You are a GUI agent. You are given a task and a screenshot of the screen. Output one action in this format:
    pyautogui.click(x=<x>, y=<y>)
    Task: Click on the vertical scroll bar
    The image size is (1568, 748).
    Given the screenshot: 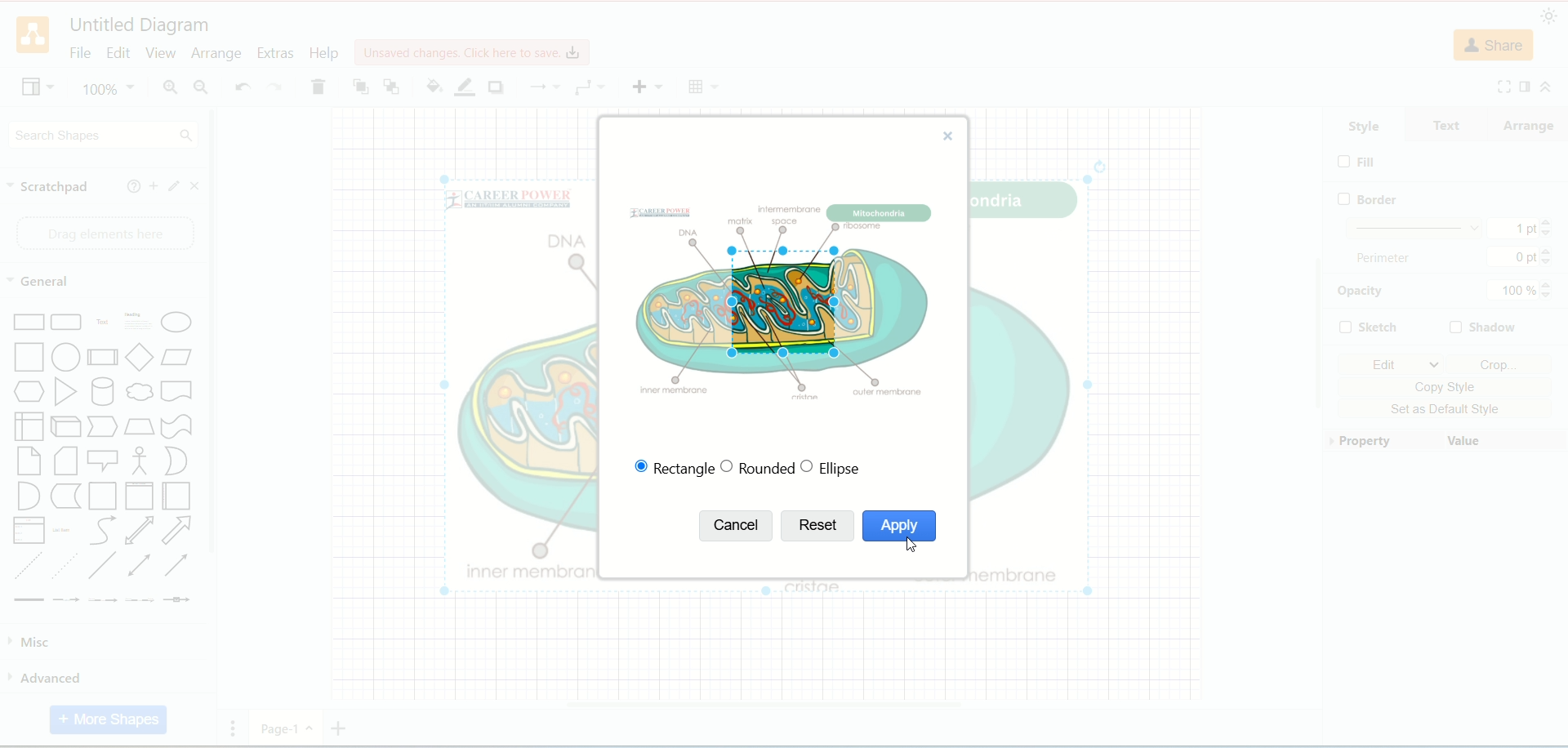 What is the action you would take?
    pyautogui.click(x=216, y=425)
    